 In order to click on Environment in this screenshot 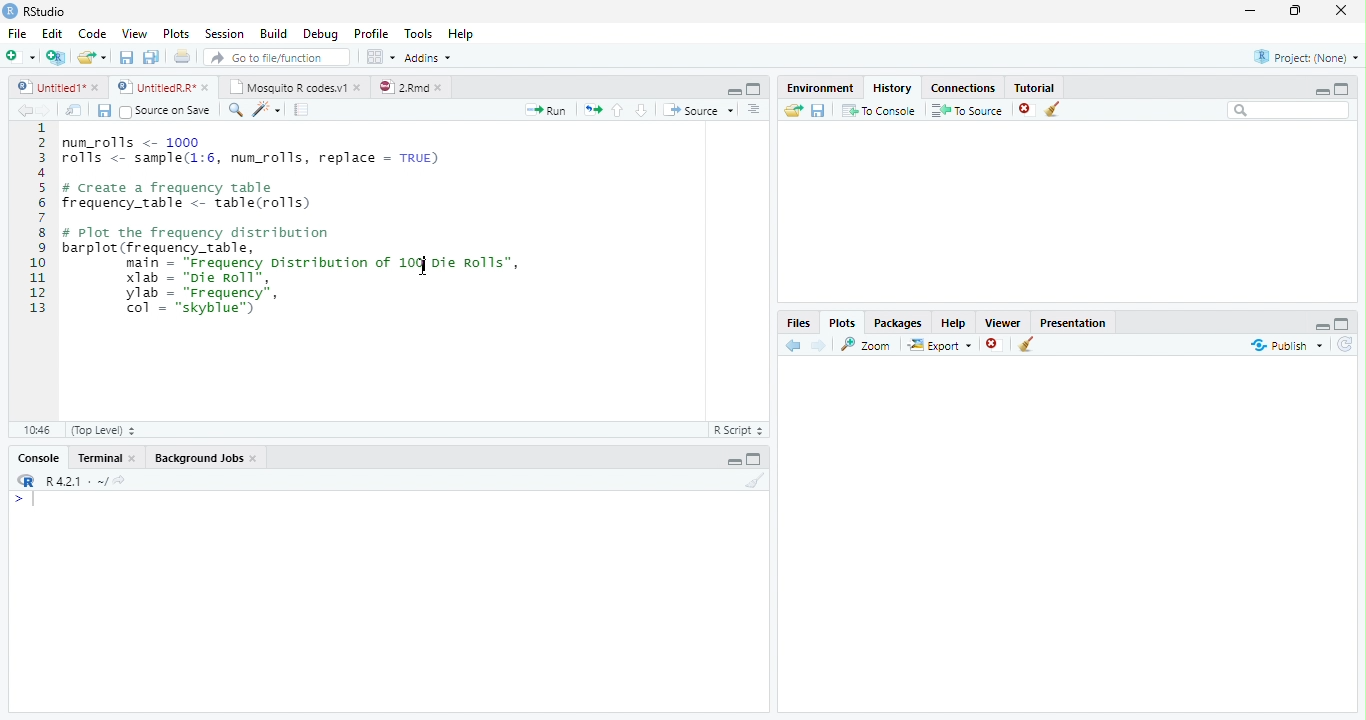, I will do `click(821, 87)`.